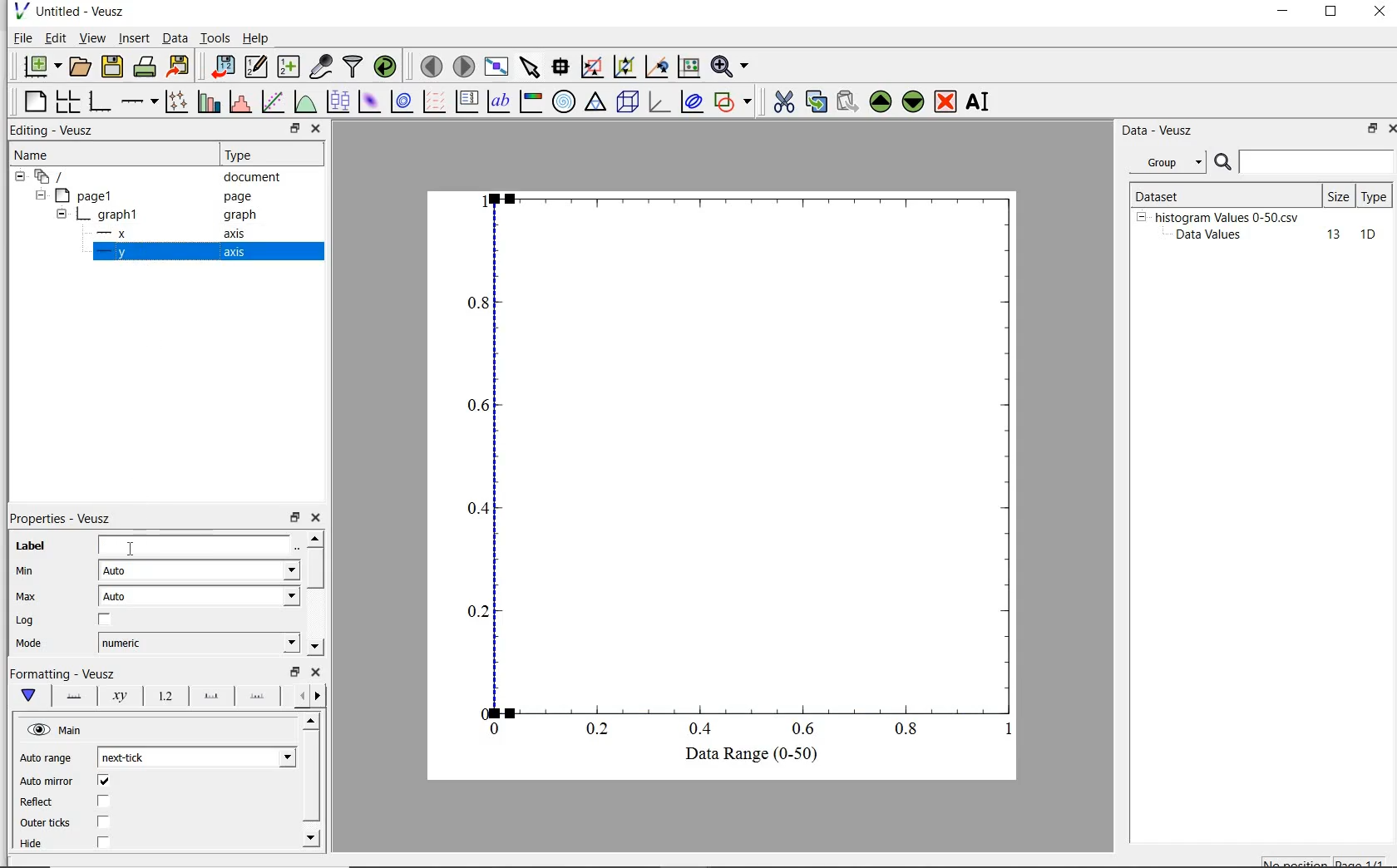 This screenshot has width=1397, height=868. I want to click on |Formatting - Veusz, so click(60, 672).